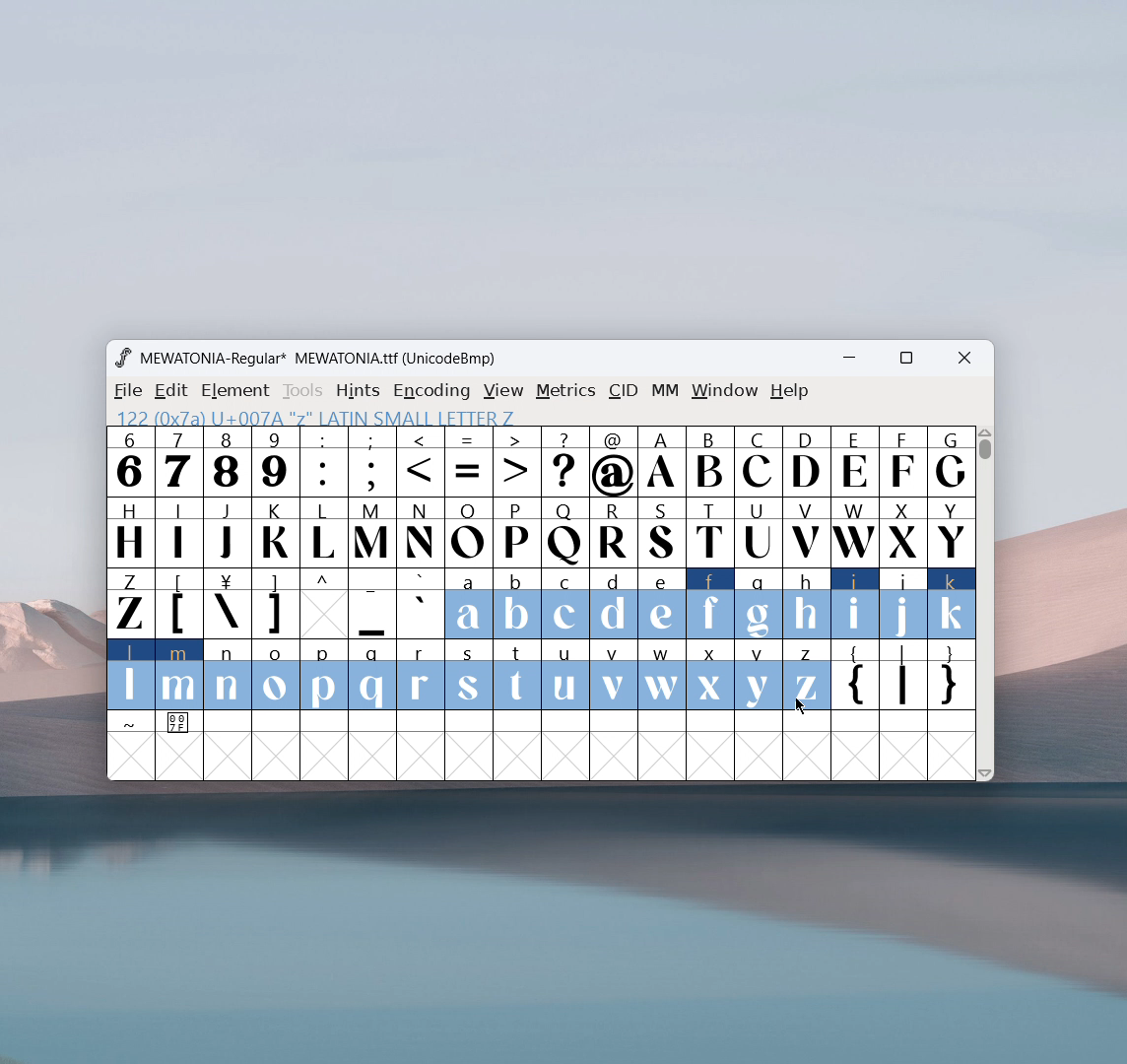 This screenshot has width=1127, height=1064. What do you see at coordinates (129, 602) in the screenshot?
I see `Z` at bounding box center [129, 602].